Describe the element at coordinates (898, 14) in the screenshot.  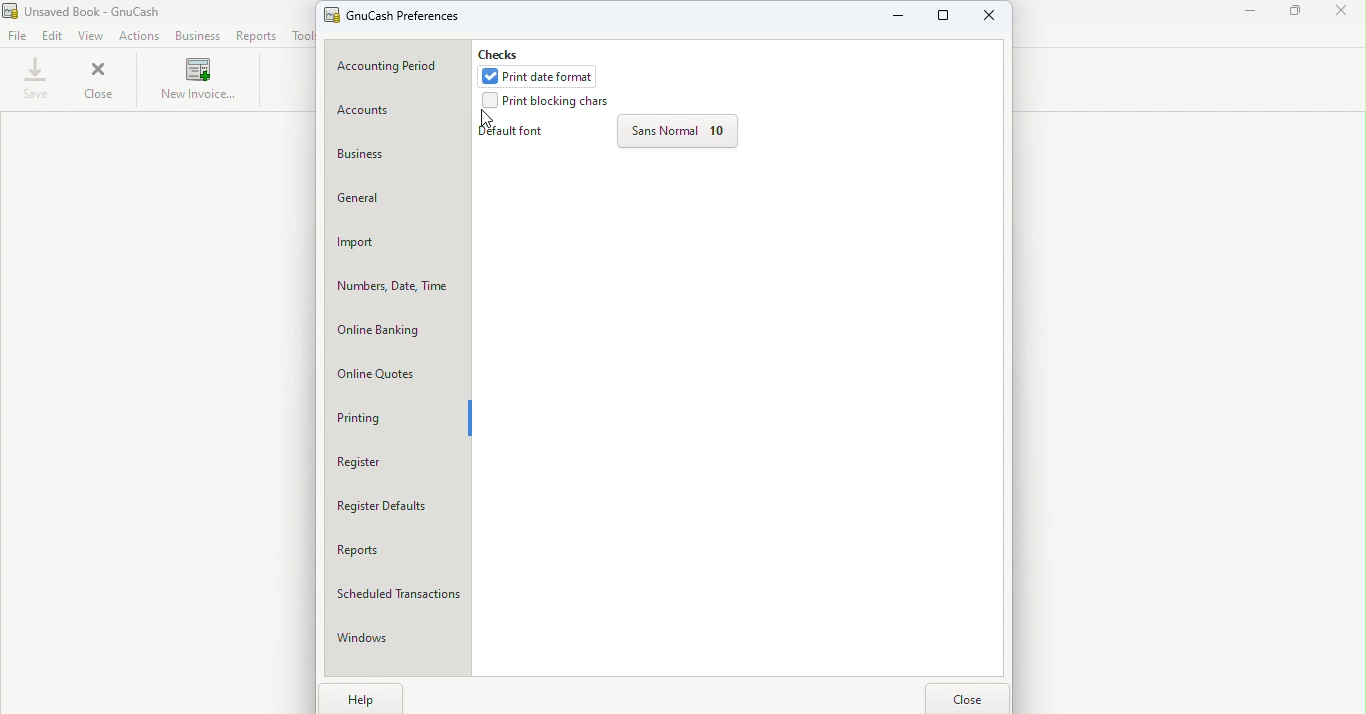
I see `Minimize` at that location.